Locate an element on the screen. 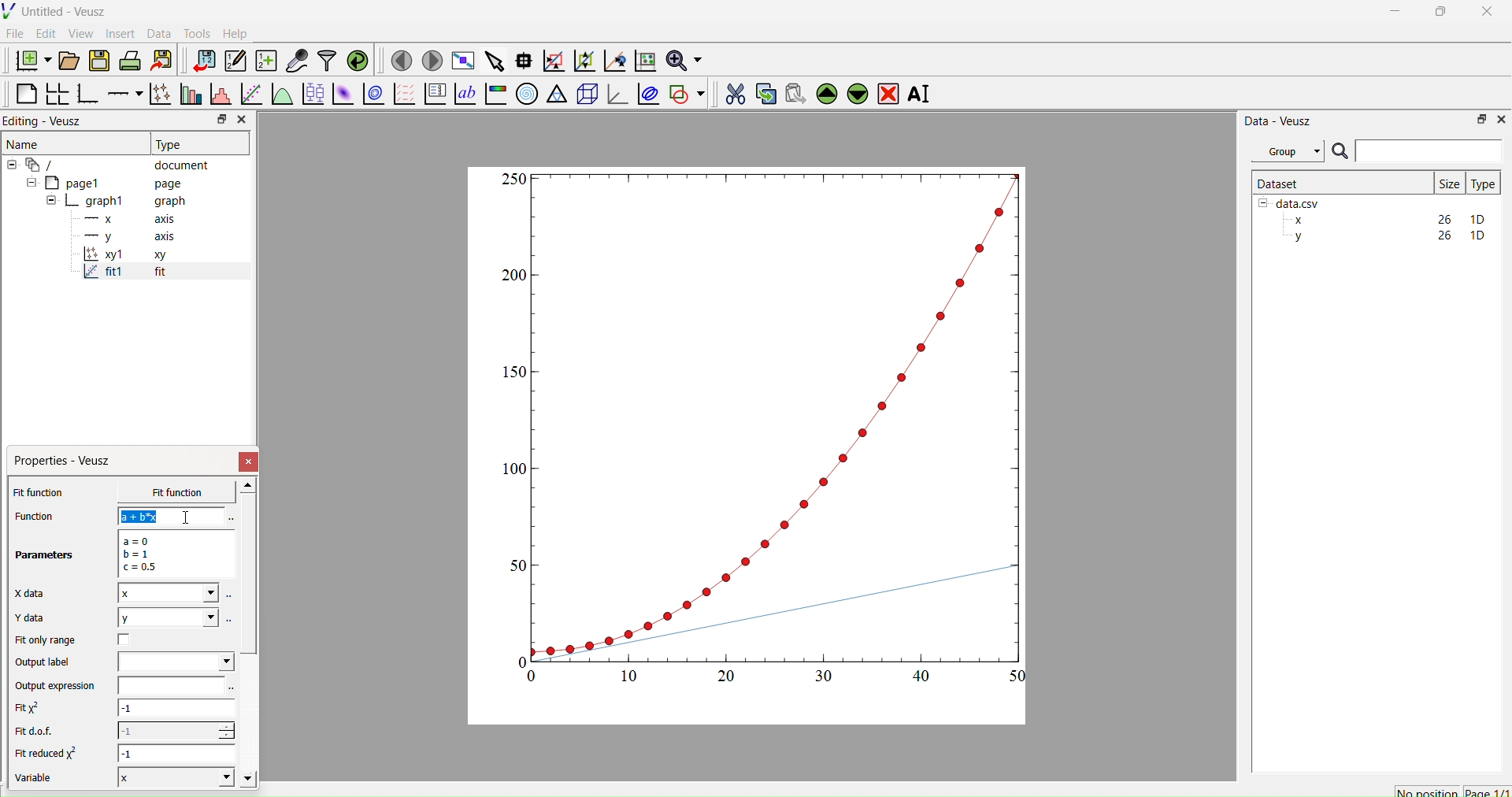 This screenshot has height=797, width=1512. Restore Down is located at coordinates (1477, 118).